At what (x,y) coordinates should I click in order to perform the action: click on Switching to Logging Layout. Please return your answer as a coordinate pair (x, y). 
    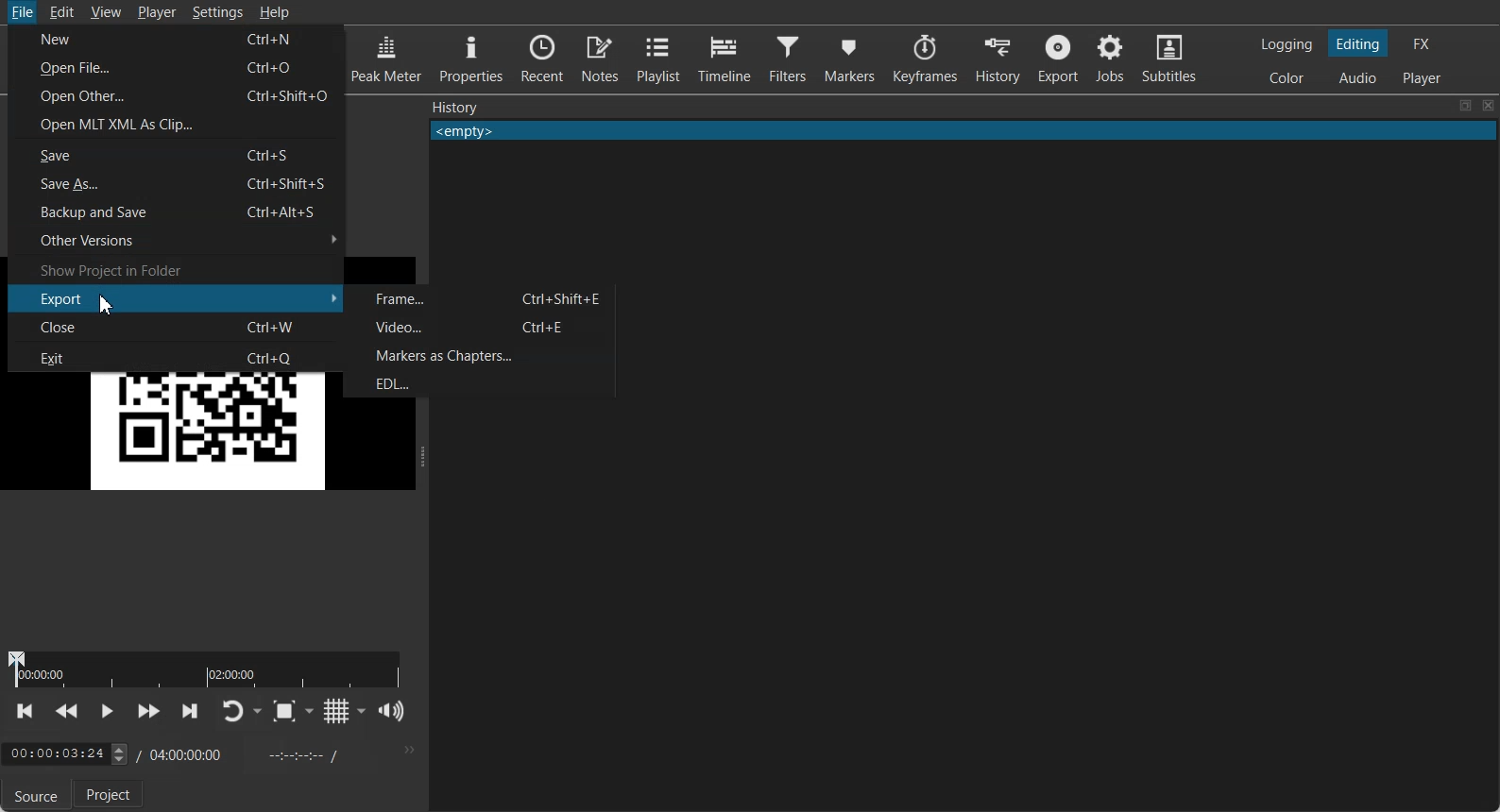
    Looking at the image, I should click on (1286, 44).